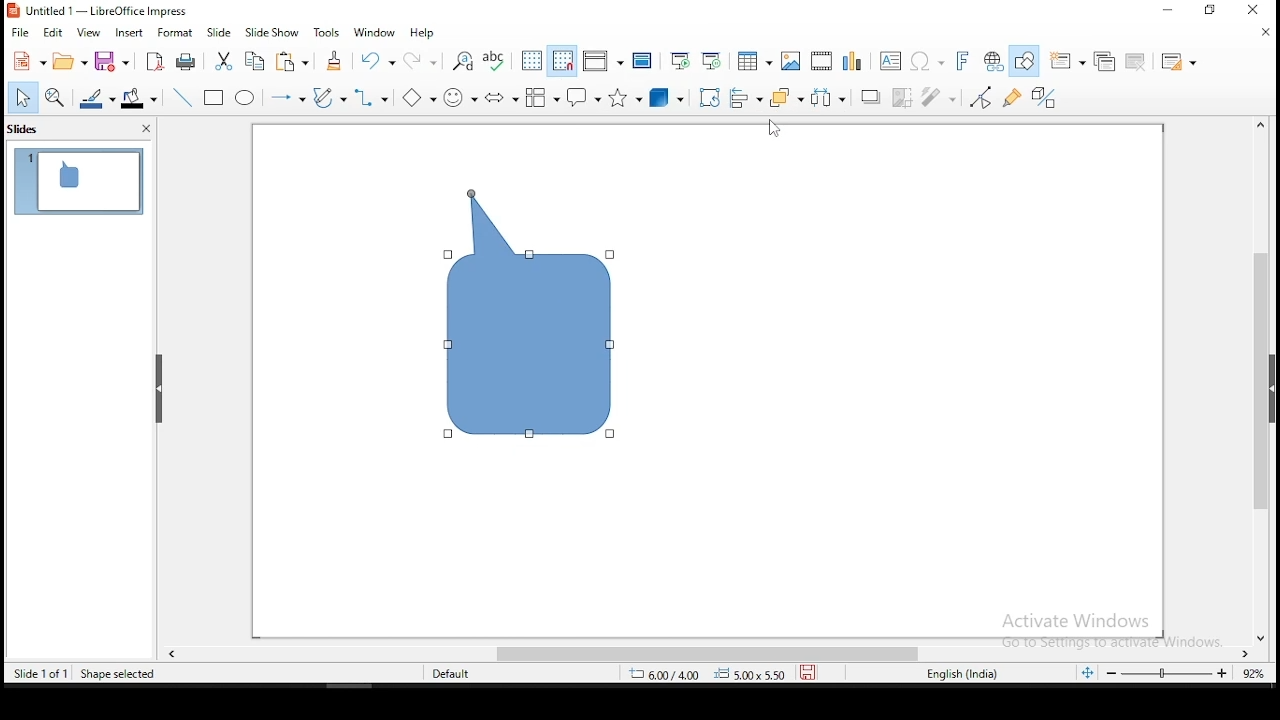 The width and height of the screenshot is (1280, 720). Describe the element at coordinates (24, 97) in the screenshot. I see `select tool` at that location.